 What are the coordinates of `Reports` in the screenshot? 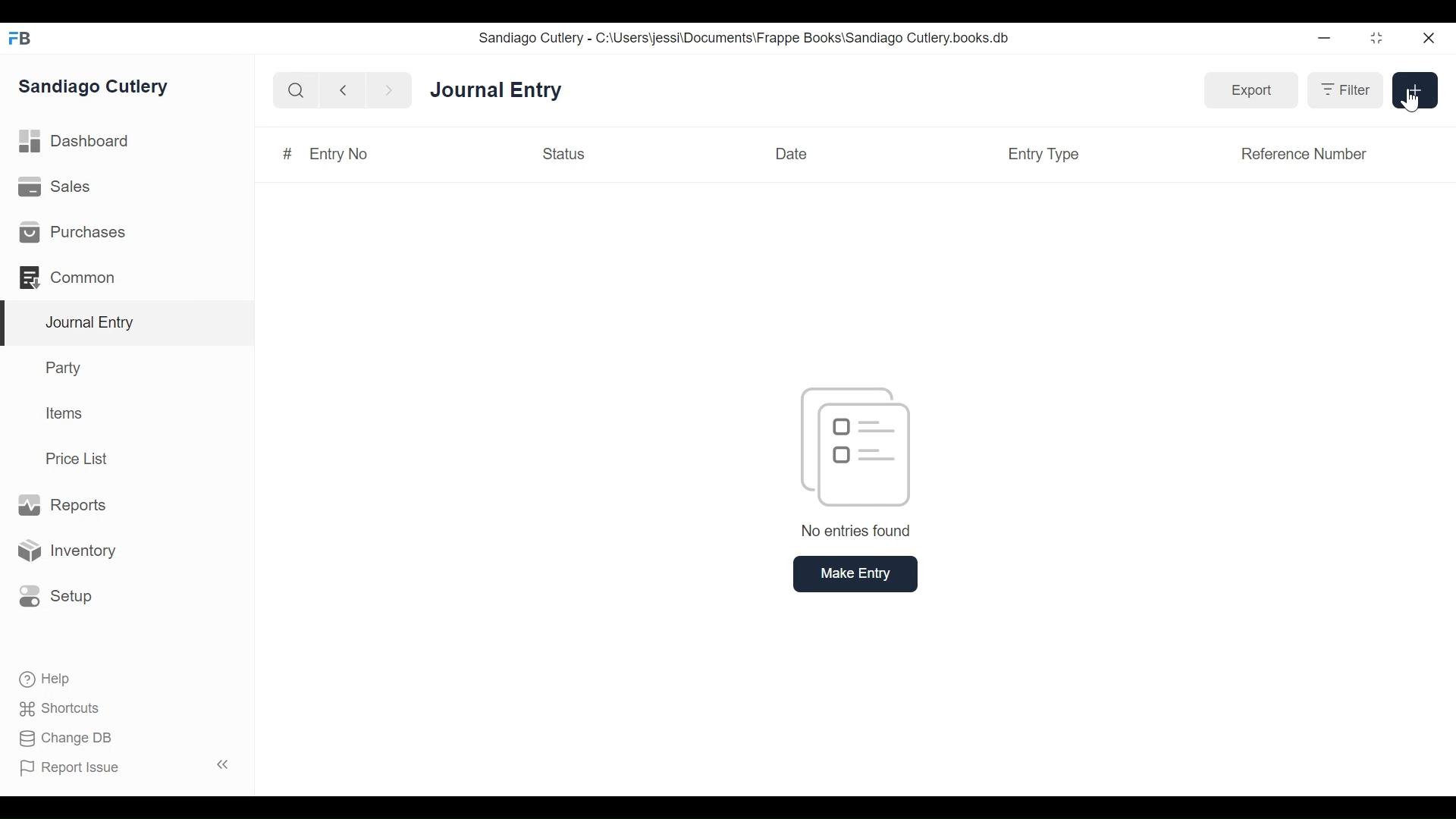 It's located at (61, 506).